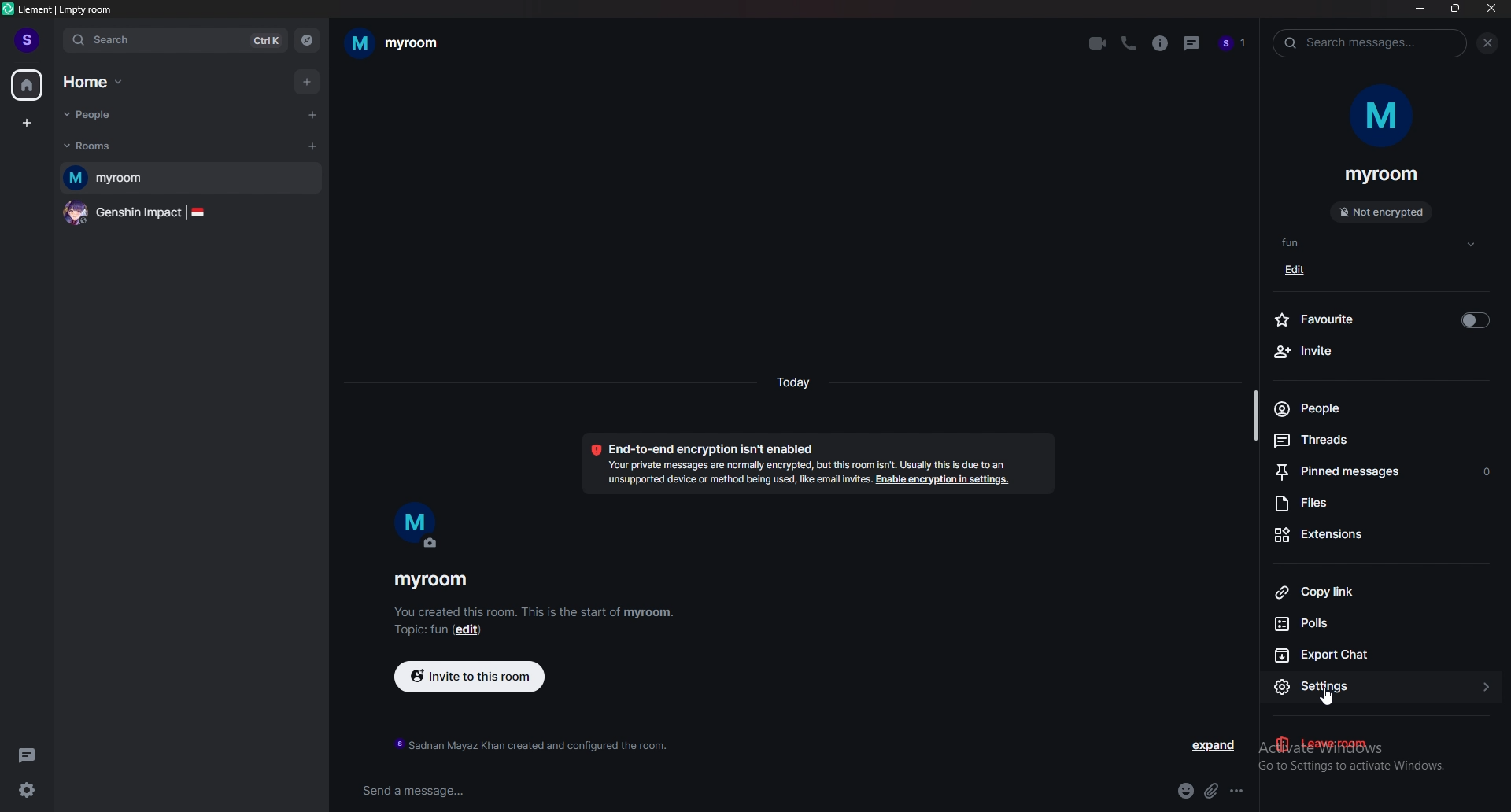 The height and width of the screenshot is (812, 1511). Describe the element at coordinates (139, 42) in the screenshot. I see `search` at that location.